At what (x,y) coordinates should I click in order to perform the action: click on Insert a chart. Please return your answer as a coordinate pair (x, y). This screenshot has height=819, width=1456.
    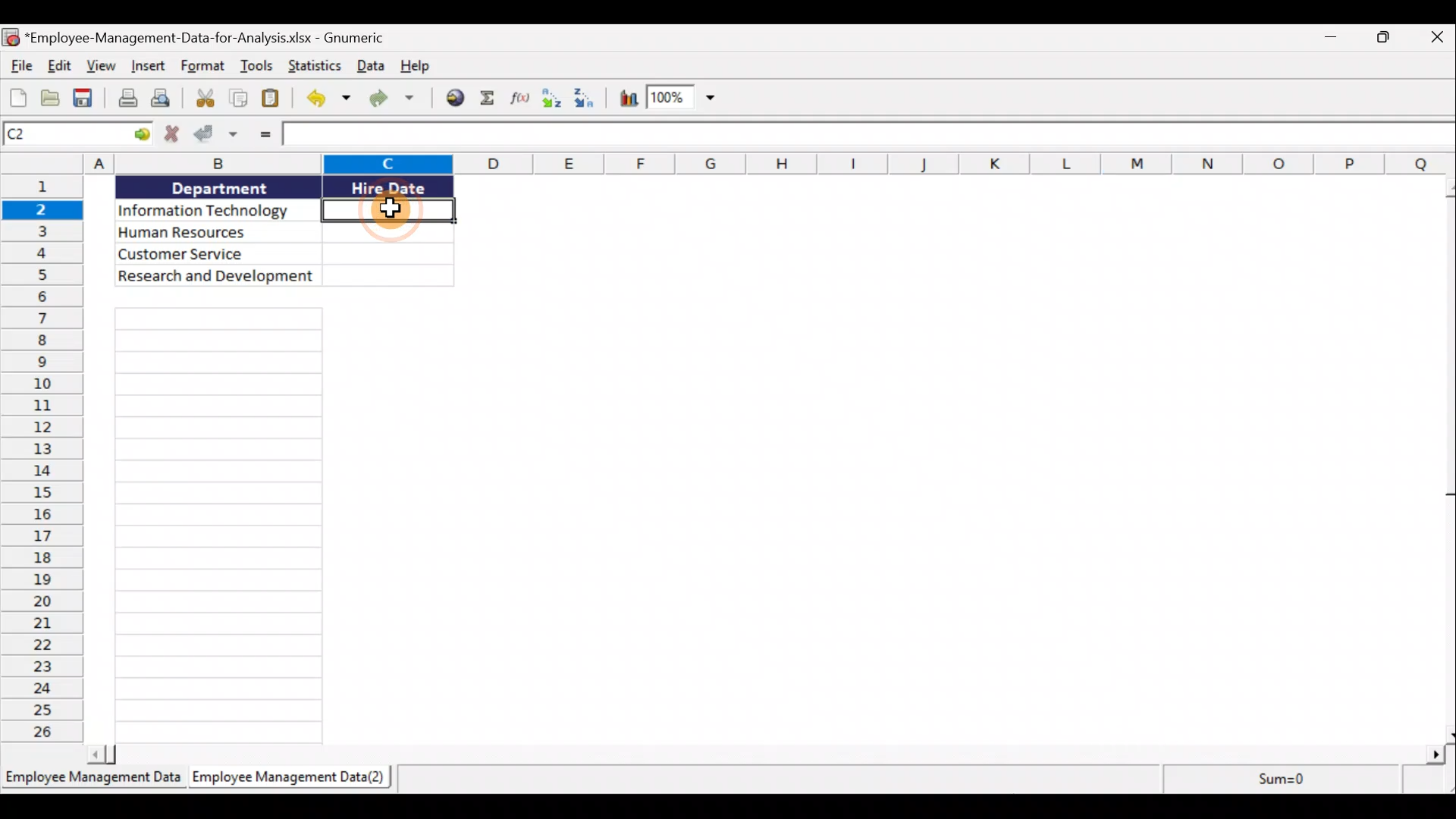
    Looking at the image, I should click on (629, 98).